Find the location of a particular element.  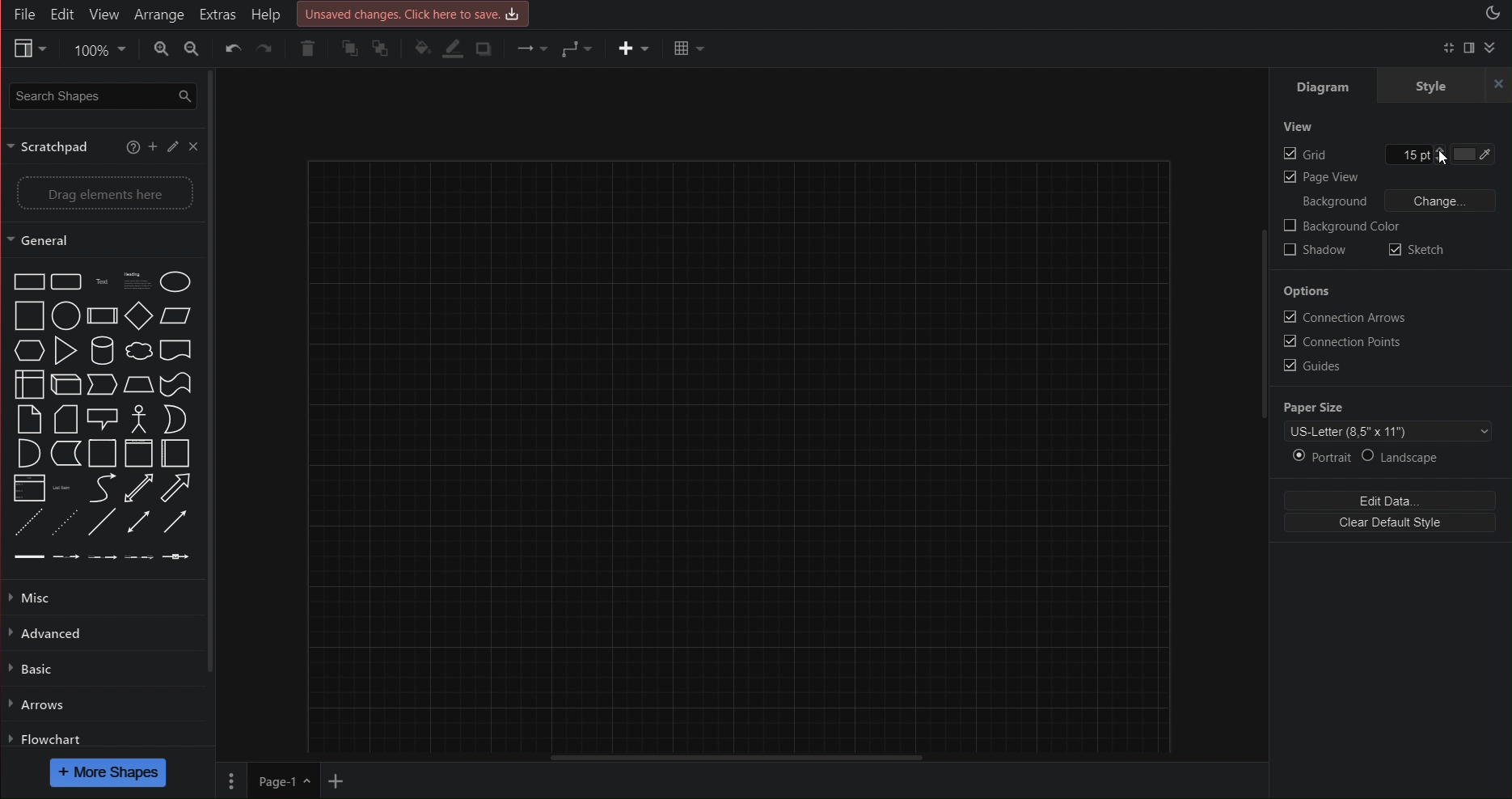

arrow is located at coordinates (65, 454).